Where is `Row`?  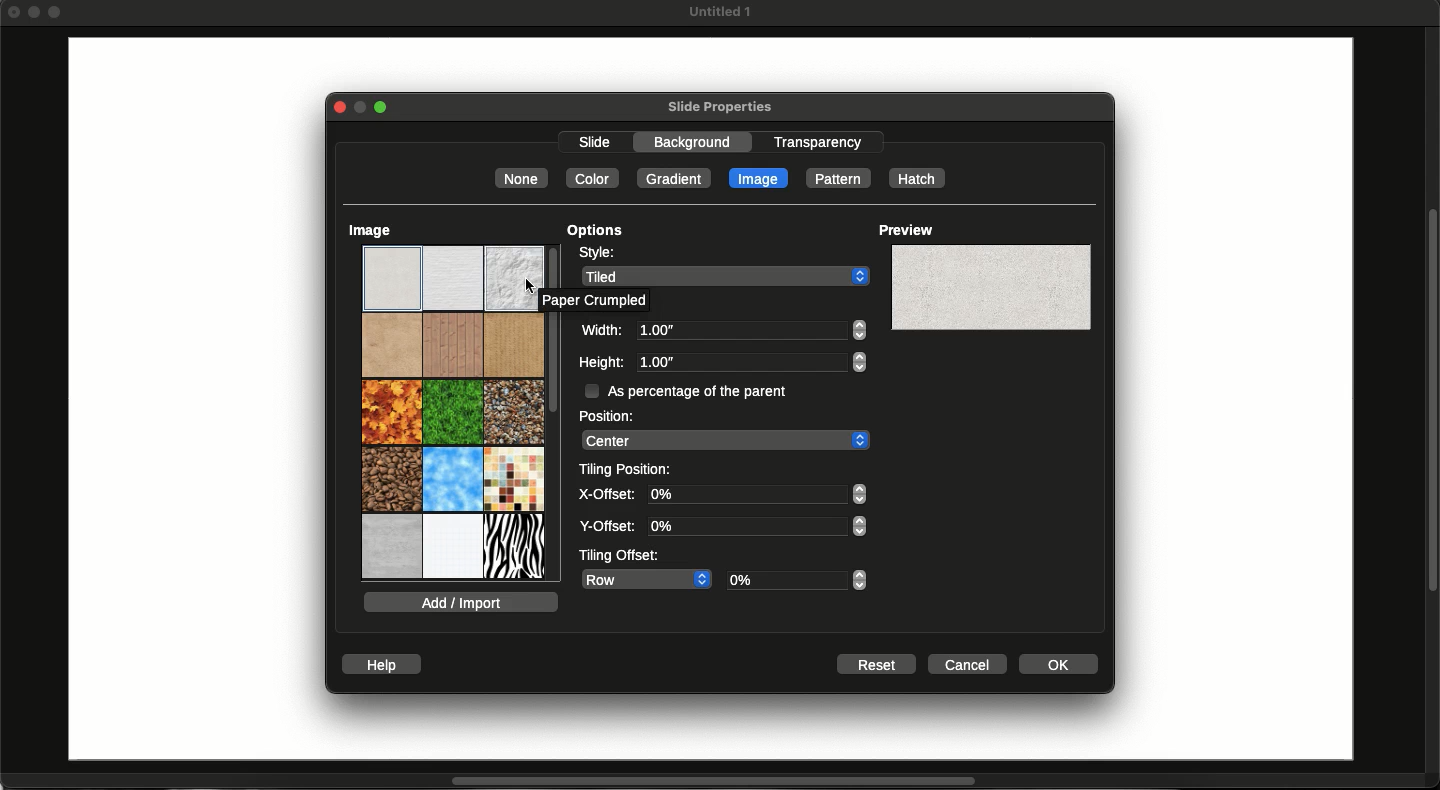
Row is located at coordinates (644, 579).